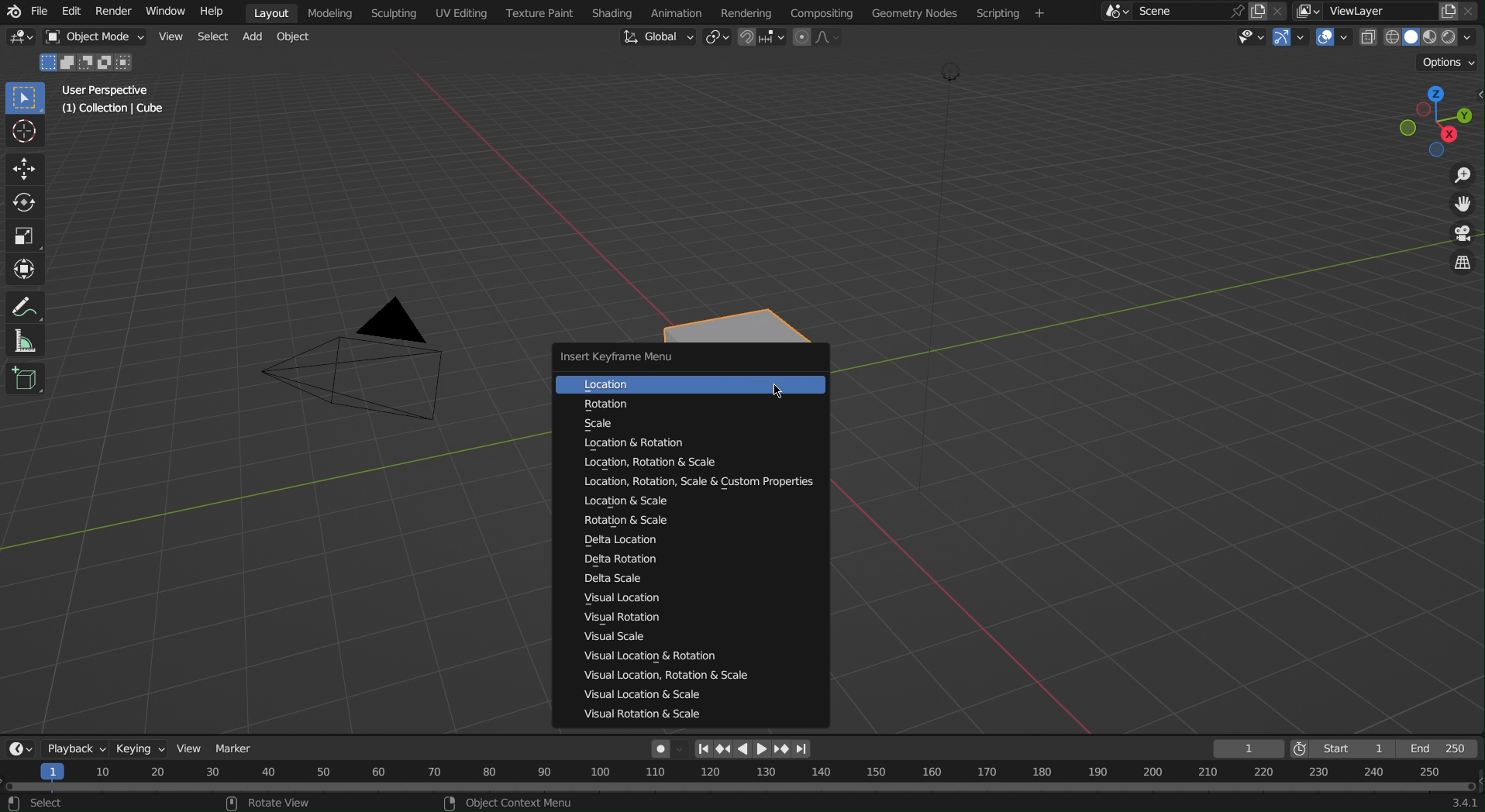 This screenshot has height=812, width=1485. What do you see at coordinates (539, 13) in the screenshot?
I see `Texture Paint` at bounding box center [539, 13].